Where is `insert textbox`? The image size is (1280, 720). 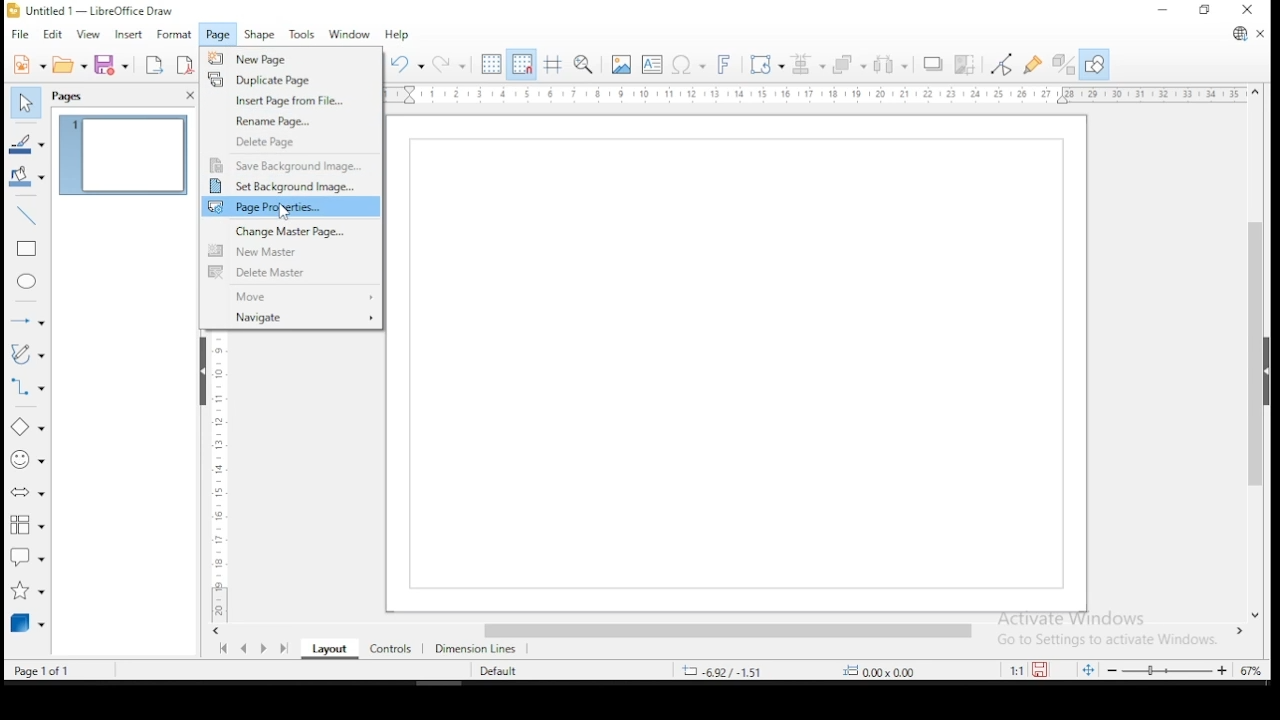 insert textbox is located at coordinates (652, 65).